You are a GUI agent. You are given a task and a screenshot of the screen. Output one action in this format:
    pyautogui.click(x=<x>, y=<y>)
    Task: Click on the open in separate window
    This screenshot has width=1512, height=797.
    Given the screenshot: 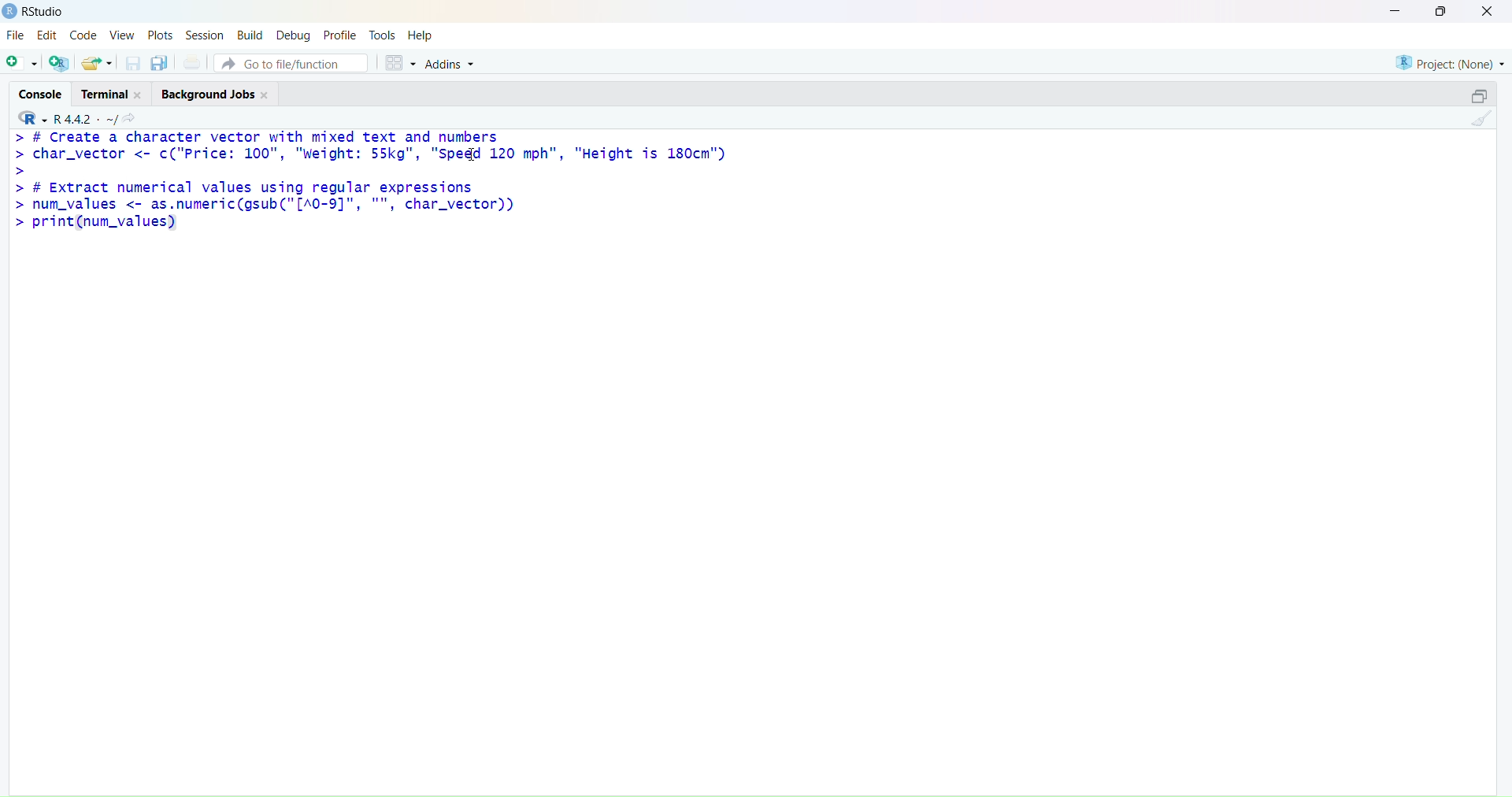 What is the action you would take?
    pyautogui.click(x=1479, y=95)
    